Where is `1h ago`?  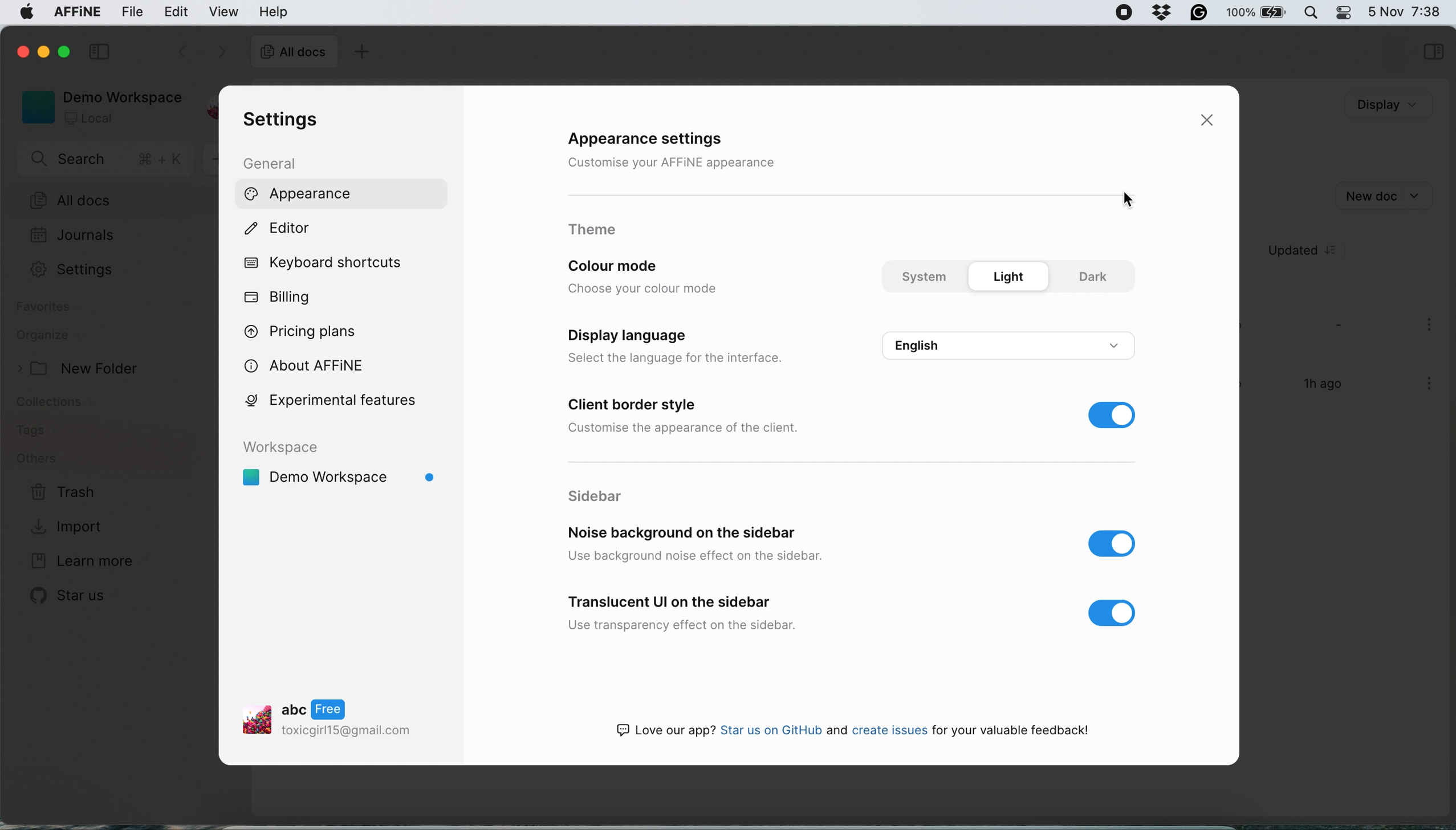
1h ago is located at coordinates (1327, 383).